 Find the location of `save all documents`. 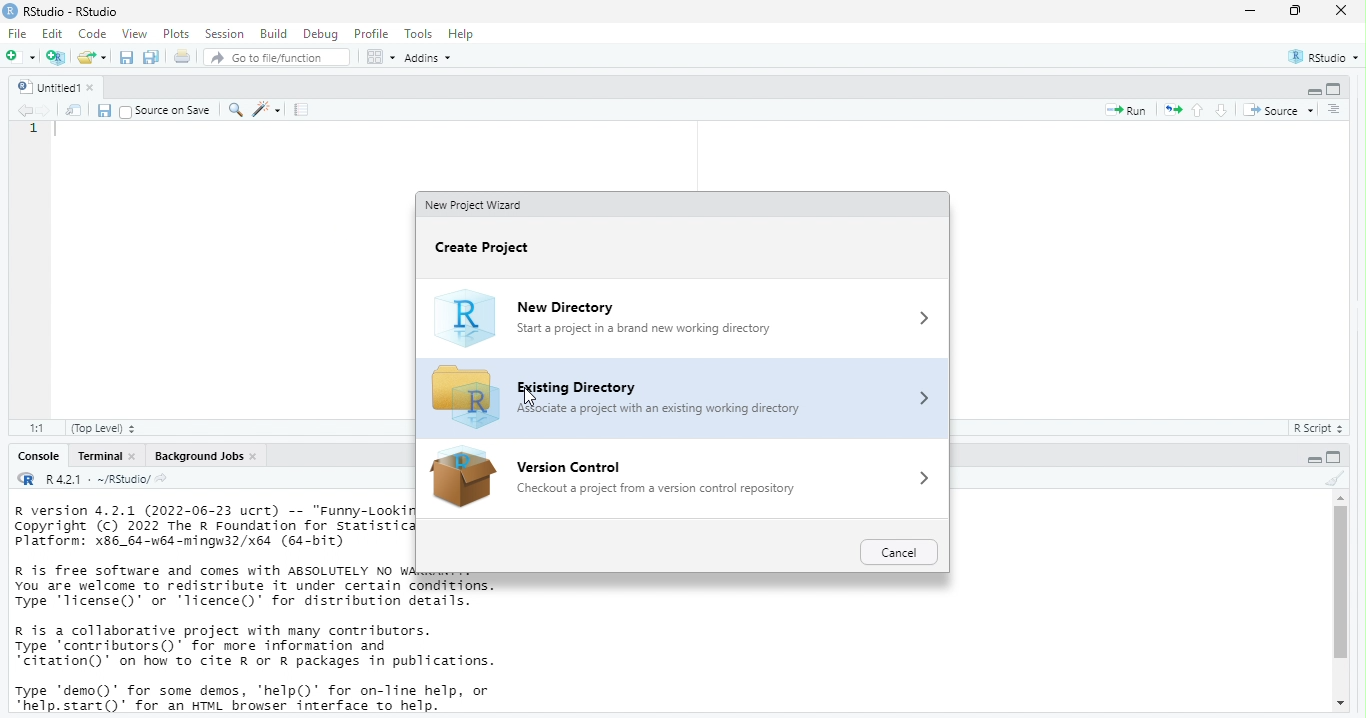

save all documents is located at coordinates (152, 57).